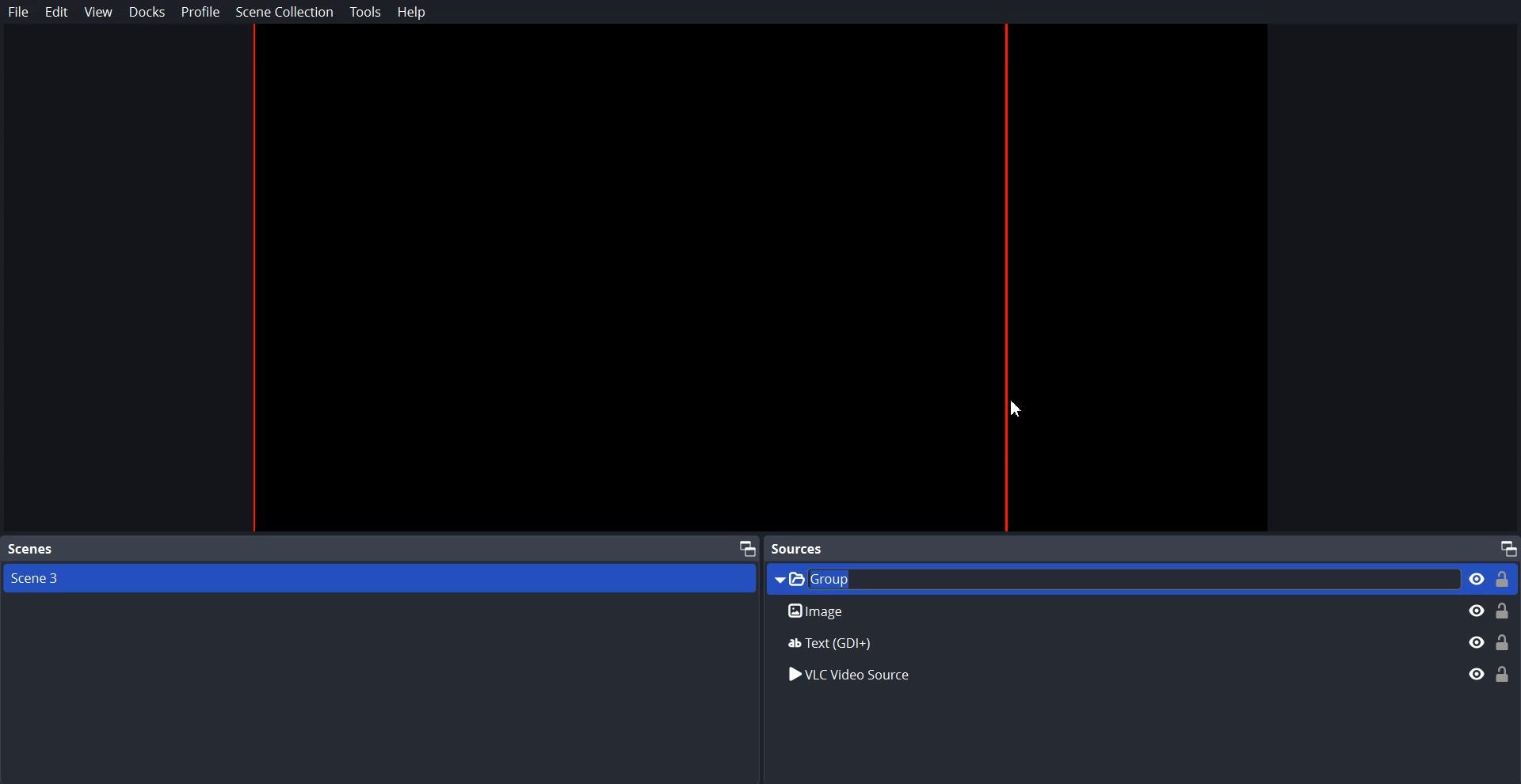  Describe the element at coordinates (201, 11) in the screenshot. I see `Profile` at that location.